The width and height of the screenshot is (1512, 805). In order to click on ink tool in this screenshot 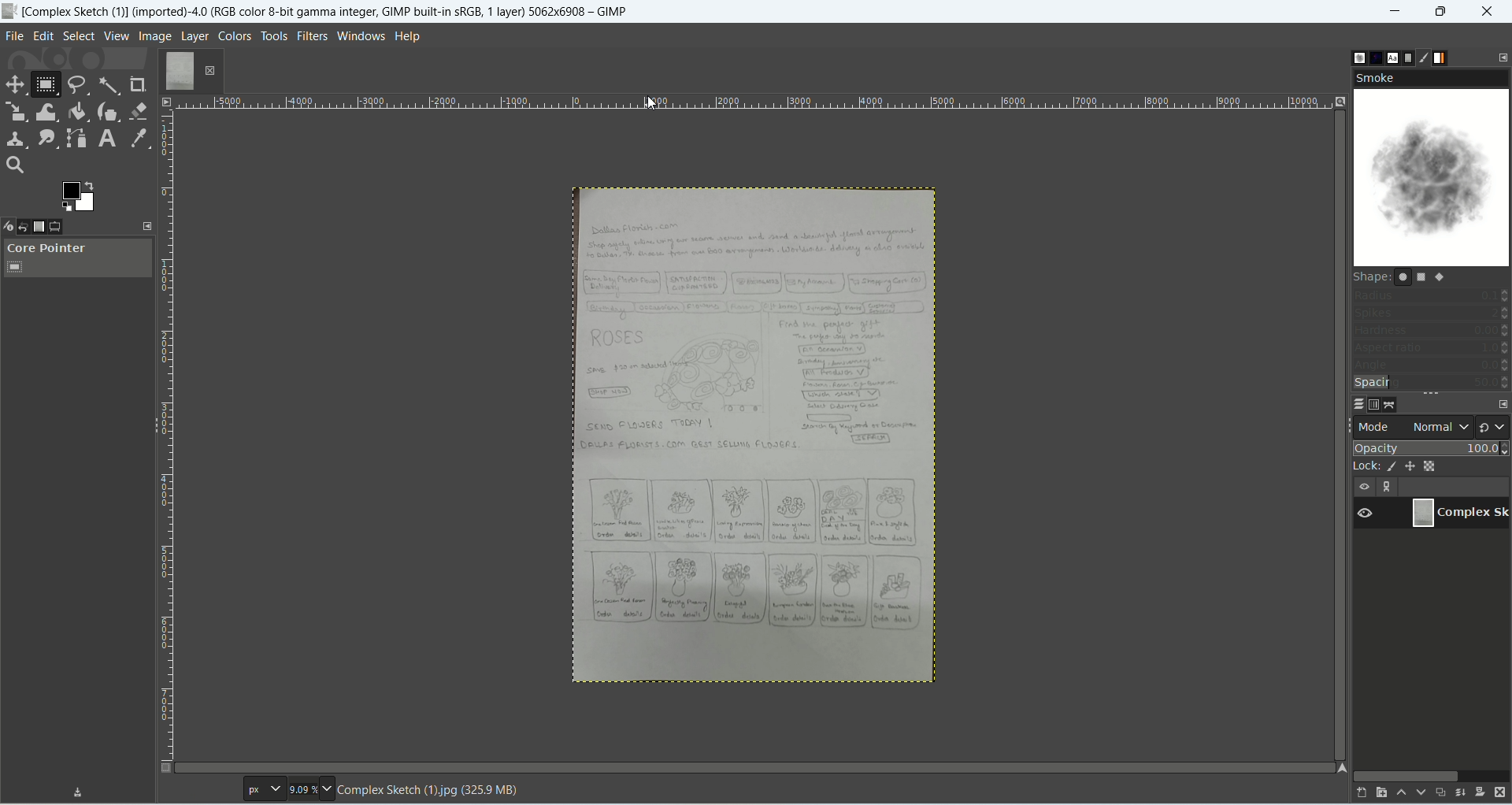, I will do `click(108, 113)`.